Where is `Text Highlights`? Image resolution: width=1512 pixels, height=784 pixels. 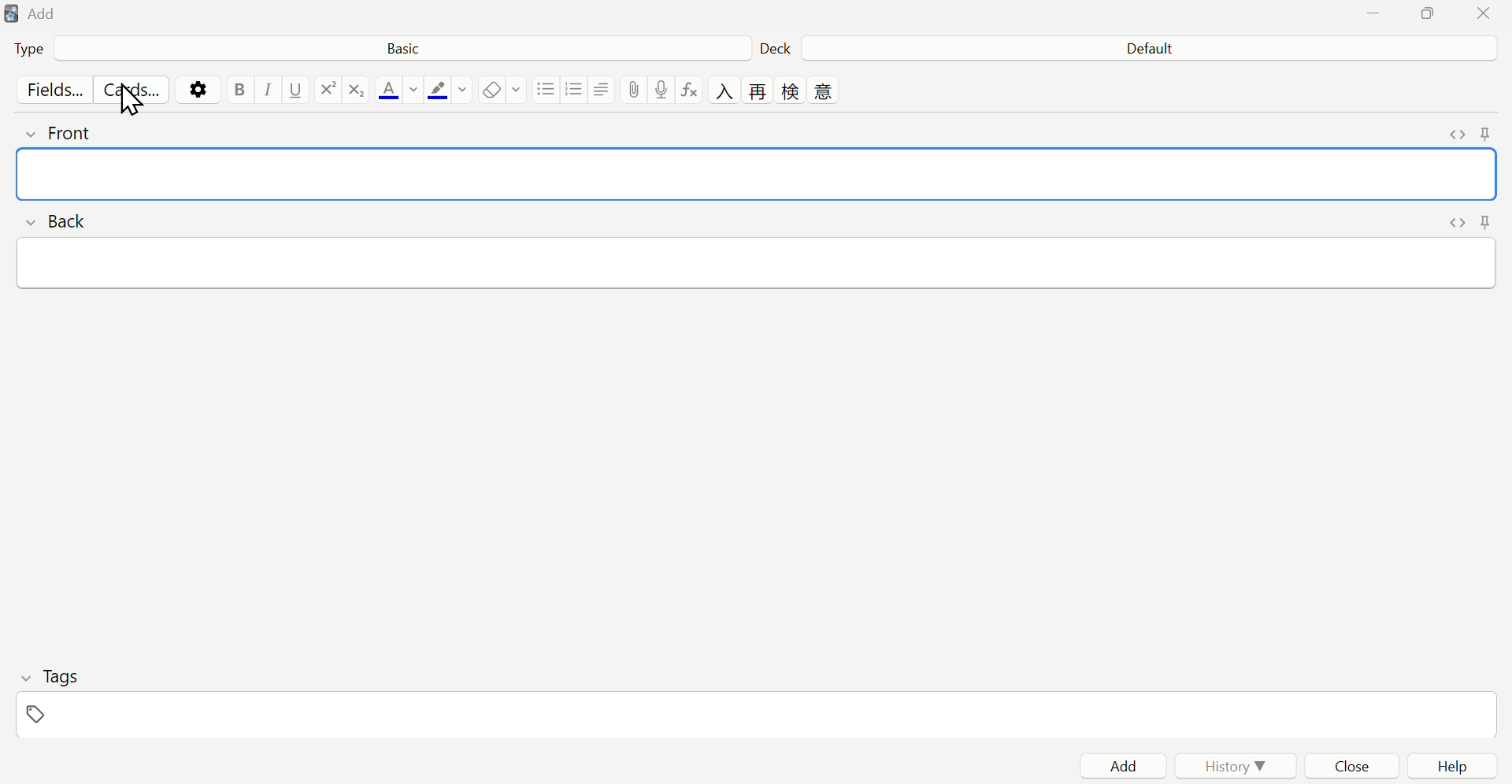
Text Highlights is located at coordinates (445, 91).